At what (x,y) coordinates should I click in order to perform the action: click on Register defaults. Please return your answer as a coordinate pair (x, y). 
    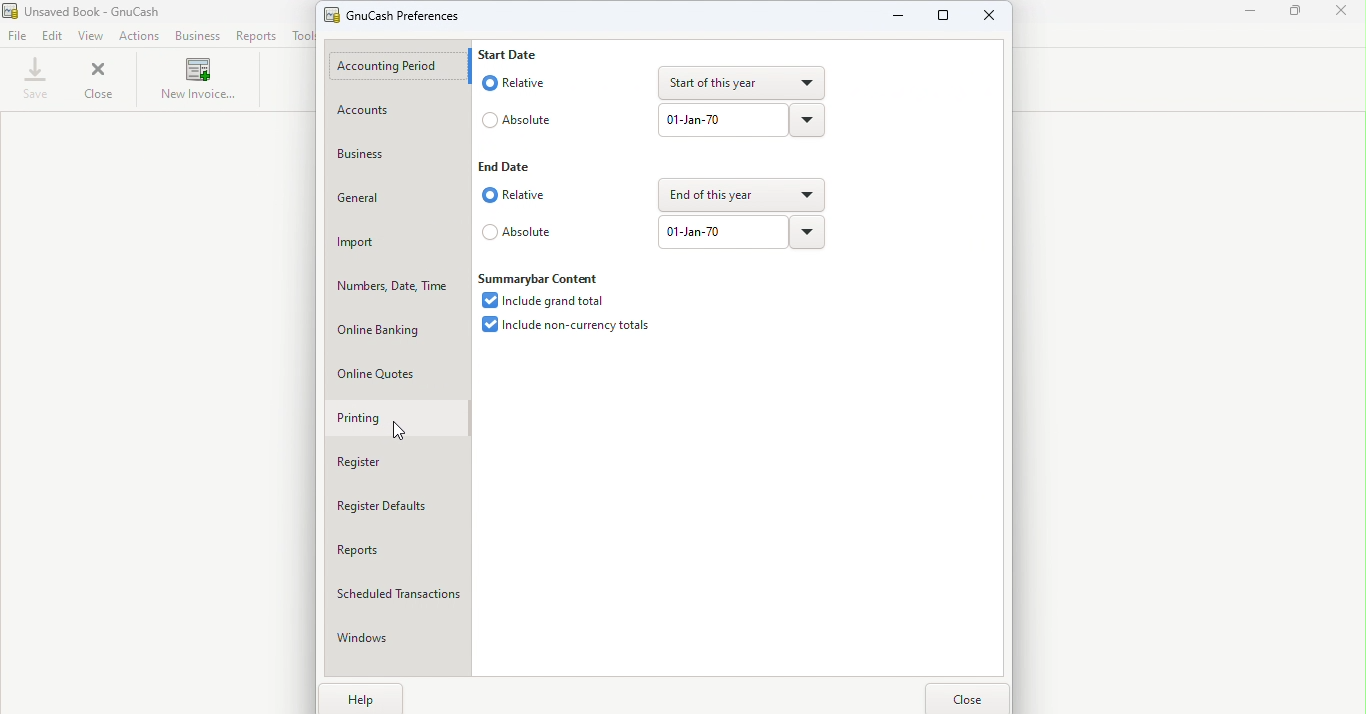
    Looking at the image, I should click on (397, 507).